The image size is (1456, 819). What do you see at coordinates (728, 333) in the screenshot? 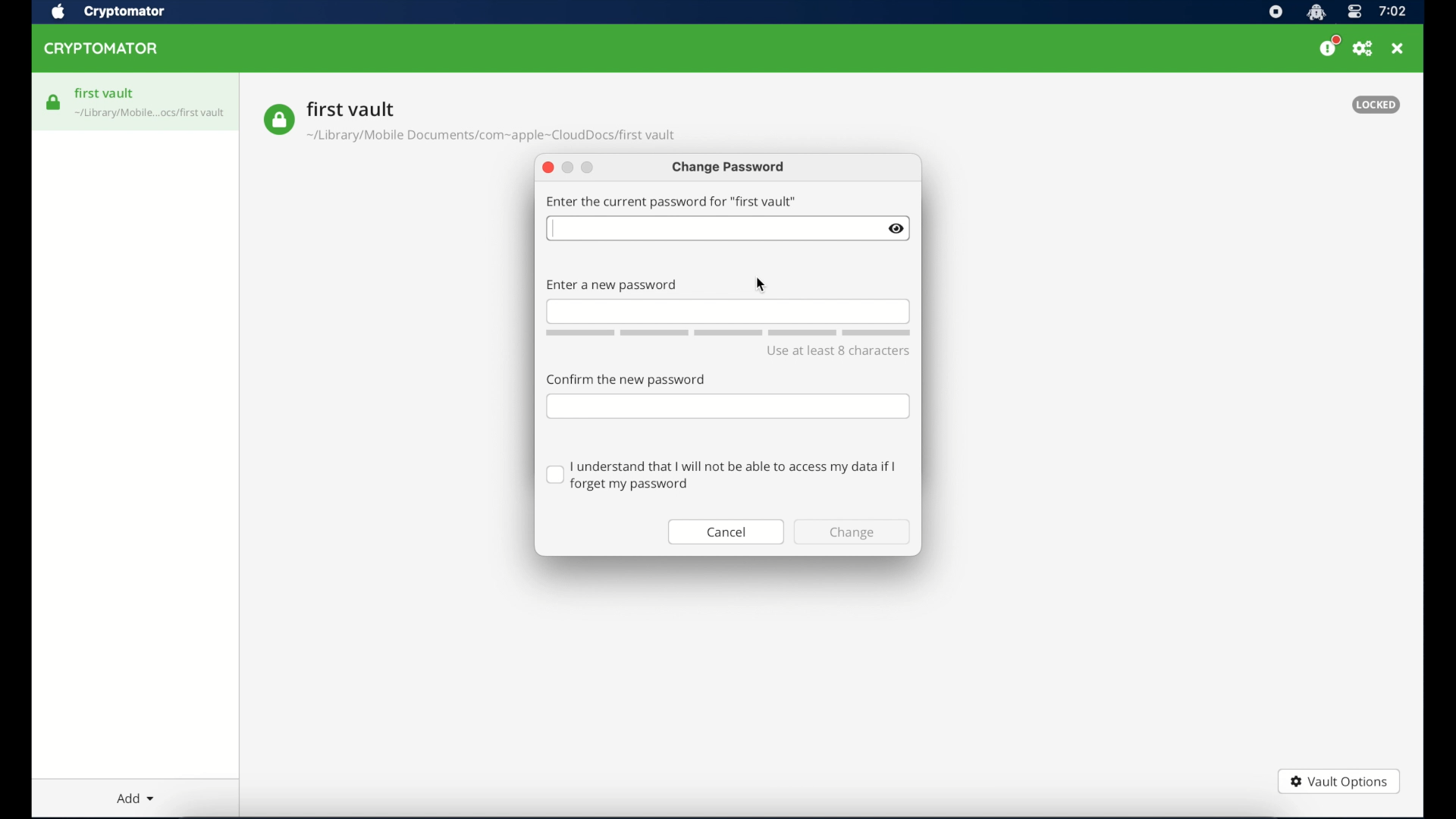
I see `word count` at bounding box center [728, 333].